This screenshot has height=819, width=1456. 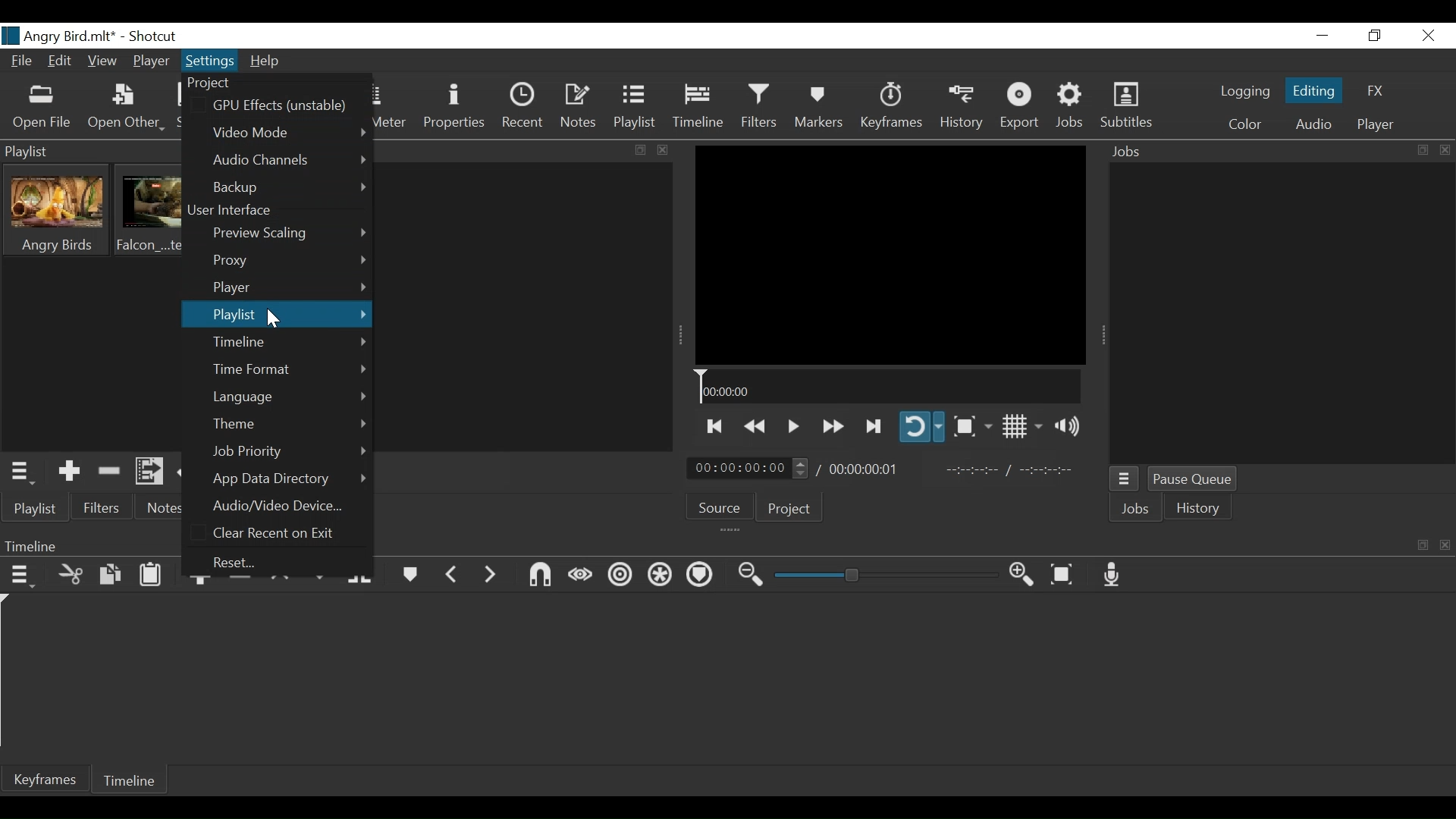 What do you see at coordinates (409, 577) in the screenshot?
I see `Marker` at bounding box center [409, 577].